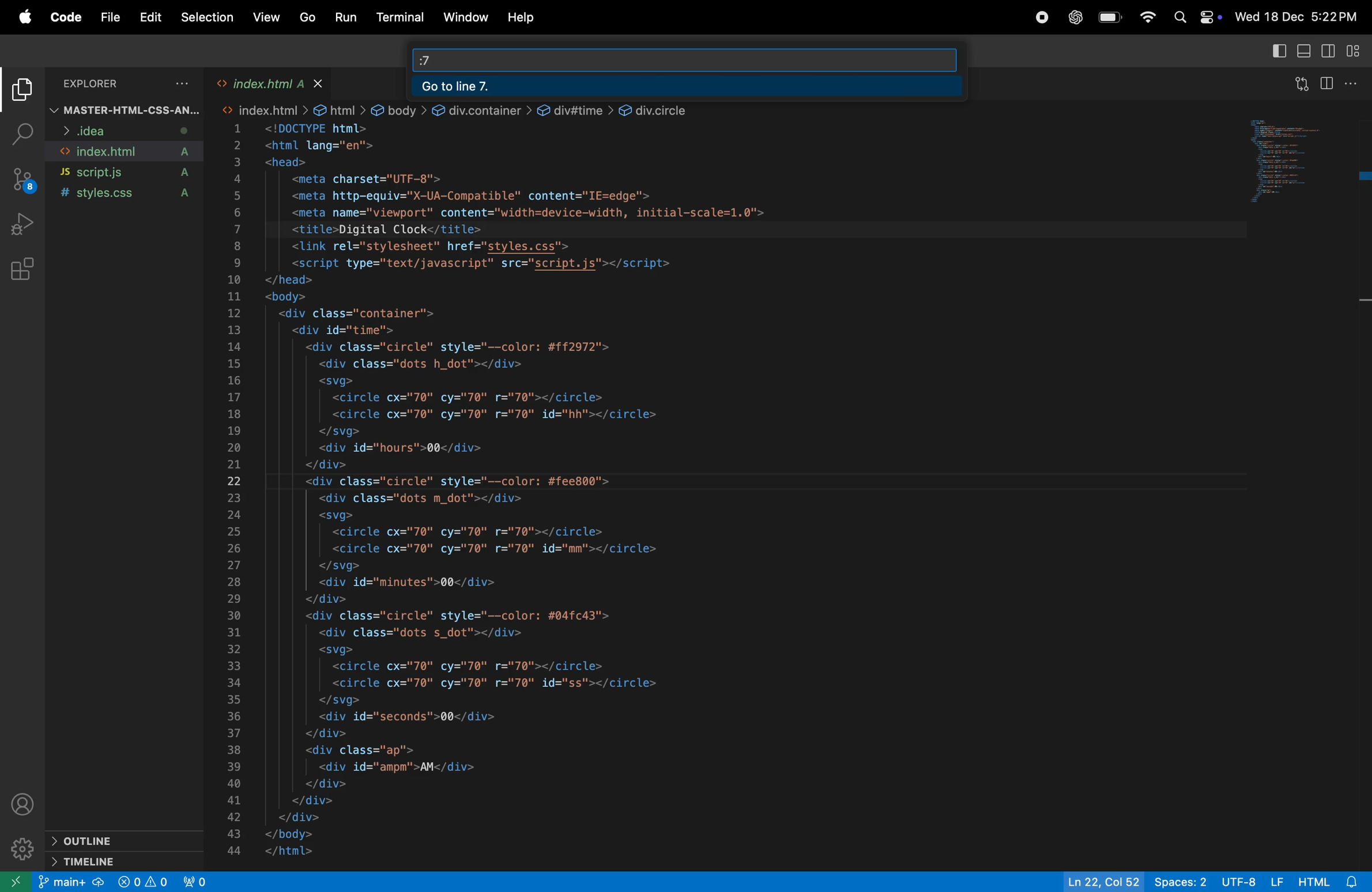 This screenshot has width=1372, height=892. I want to click on Go line 7, so click(687, 86).